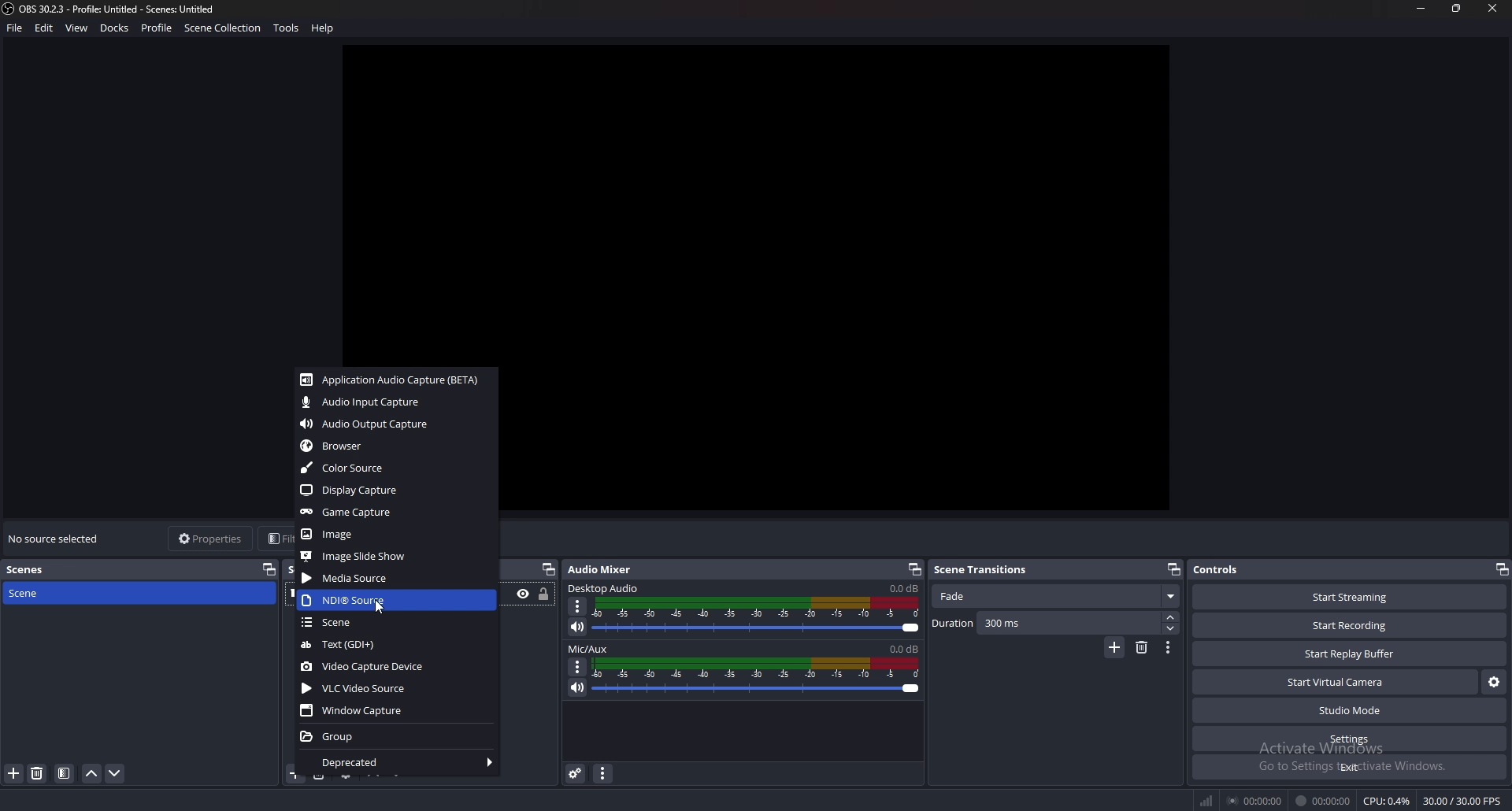 This screenshot has width=1512, height=811. Describe the element at coordinates (396, 668) in the screenshot. I see `video capture device` at that location.